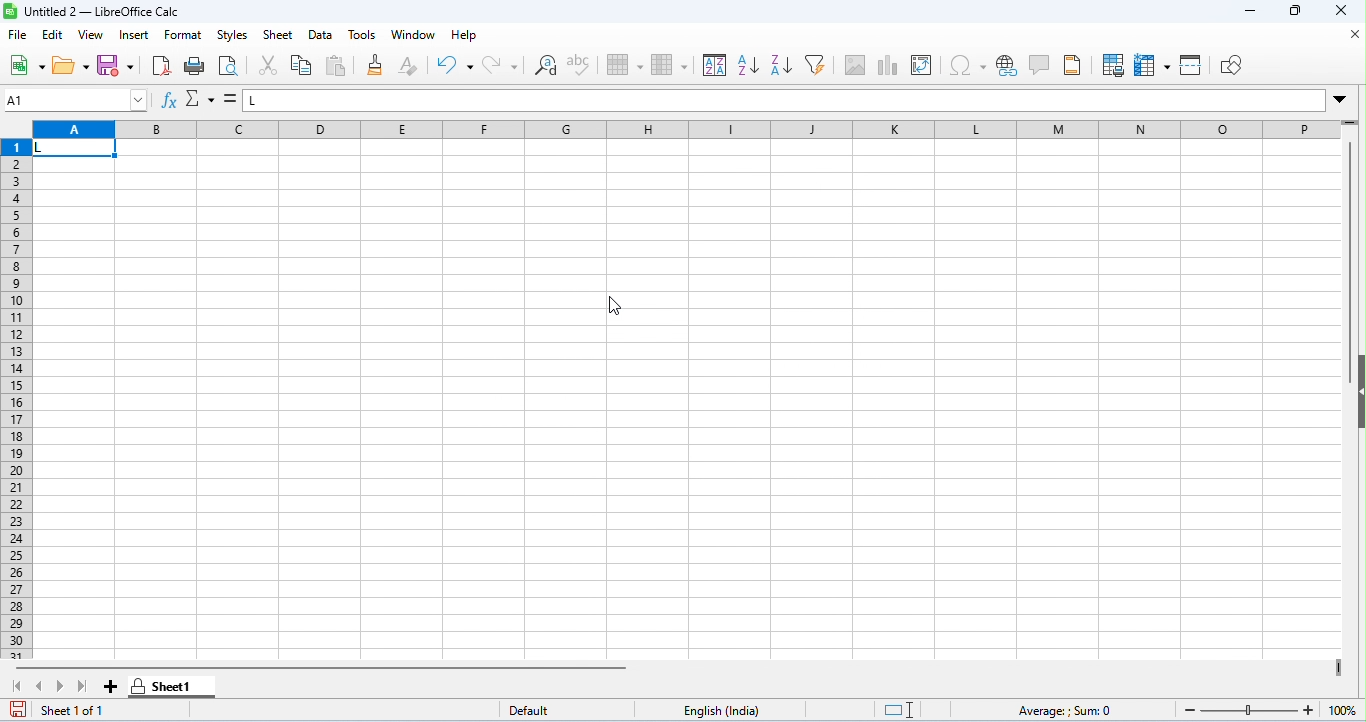  What do you see at coordinates (1039, 64) in the screenshot?
I see `insert comment` at bounding box center [1039, 64].